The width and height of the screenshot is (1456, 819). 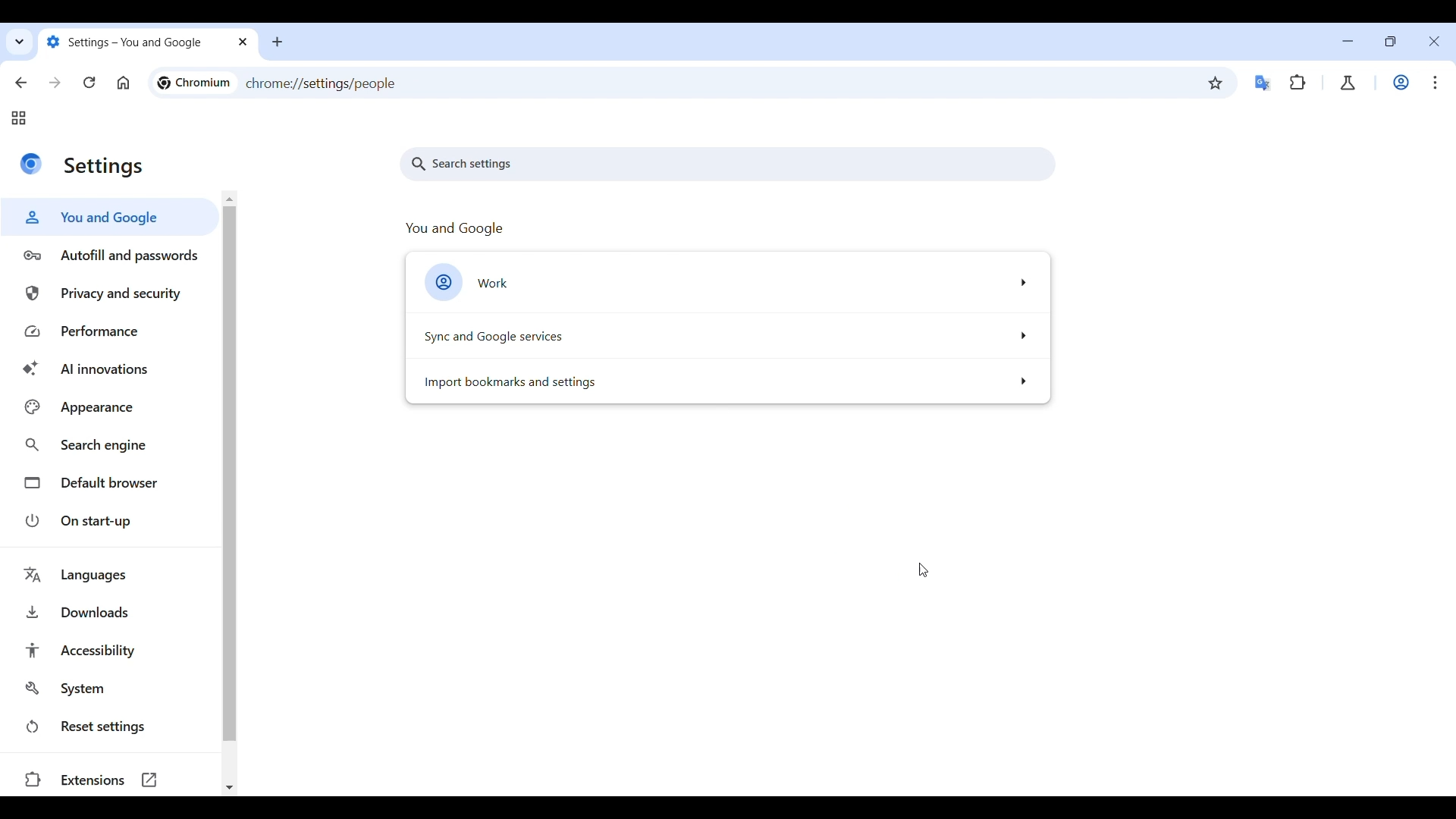 What do you see at coordinates (726, 337) in the screenshot?
I see `Sync and Google services` at bounding box center [726, 337].